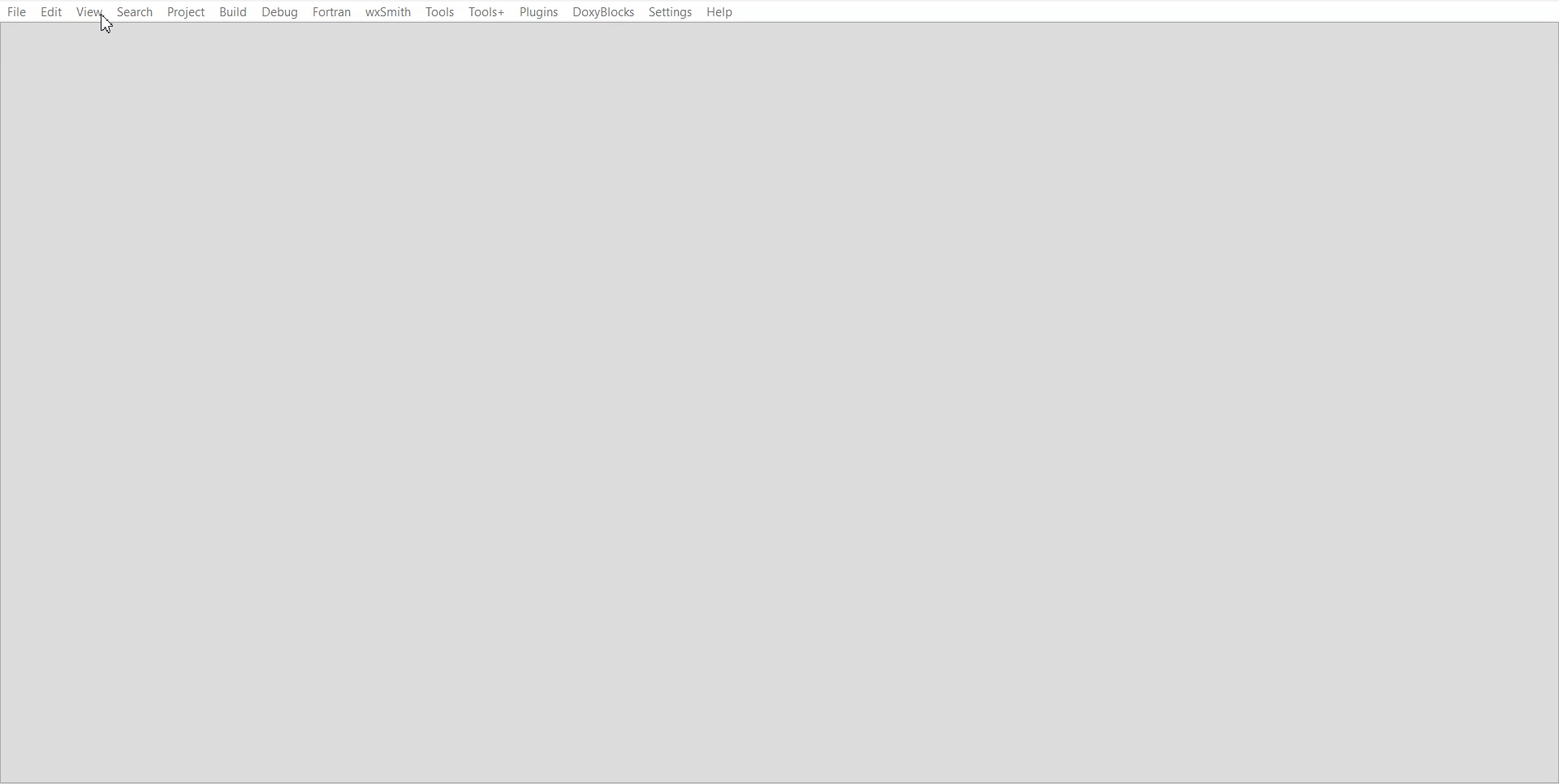 The height and width of the screenshot is (784, 1559). What do you see at coordinates (721, 12) in the screenshot?
I see `Help` at bounding box center [721, 12].